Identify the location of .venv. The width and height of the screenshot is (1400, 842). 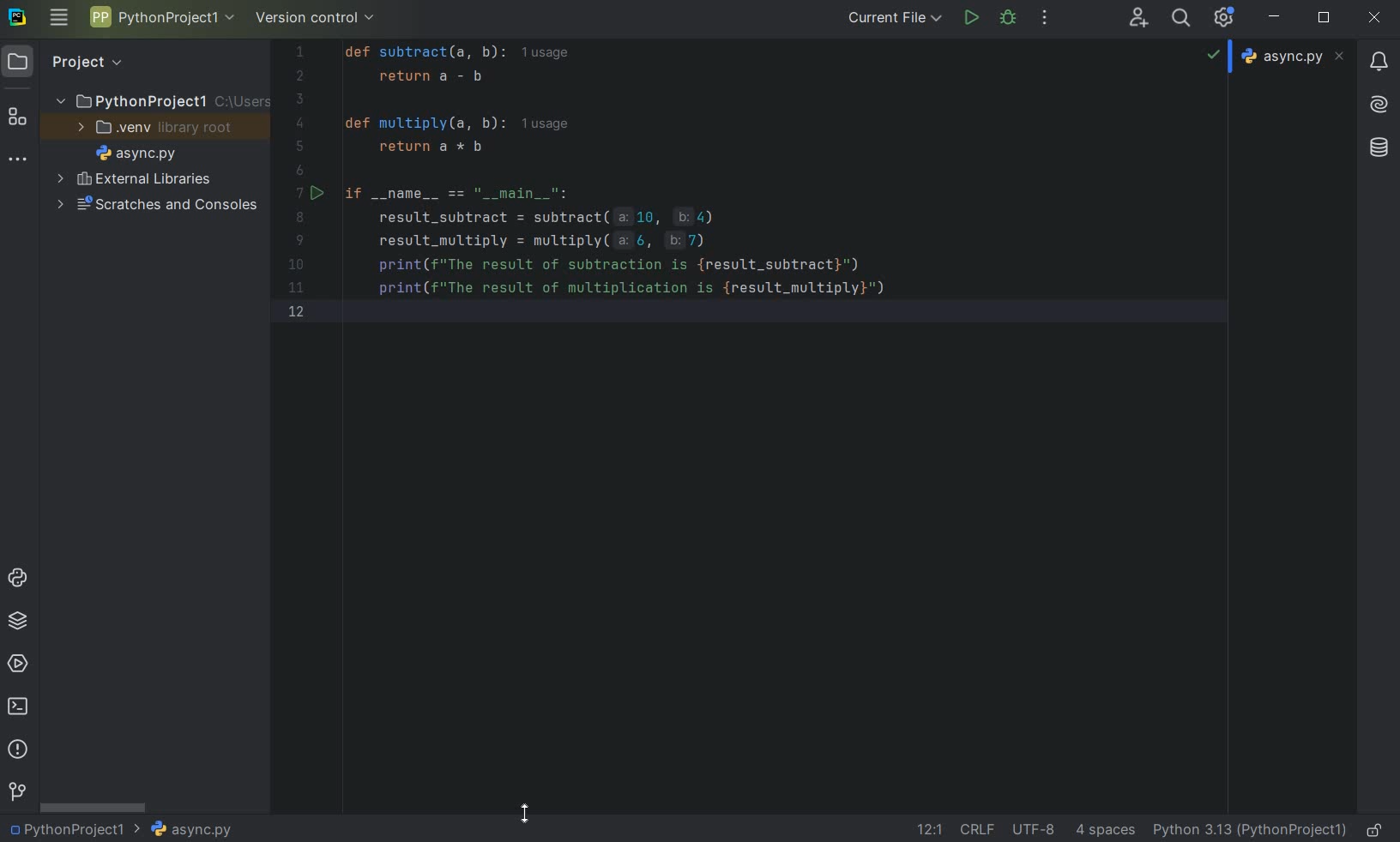
(155, 127).